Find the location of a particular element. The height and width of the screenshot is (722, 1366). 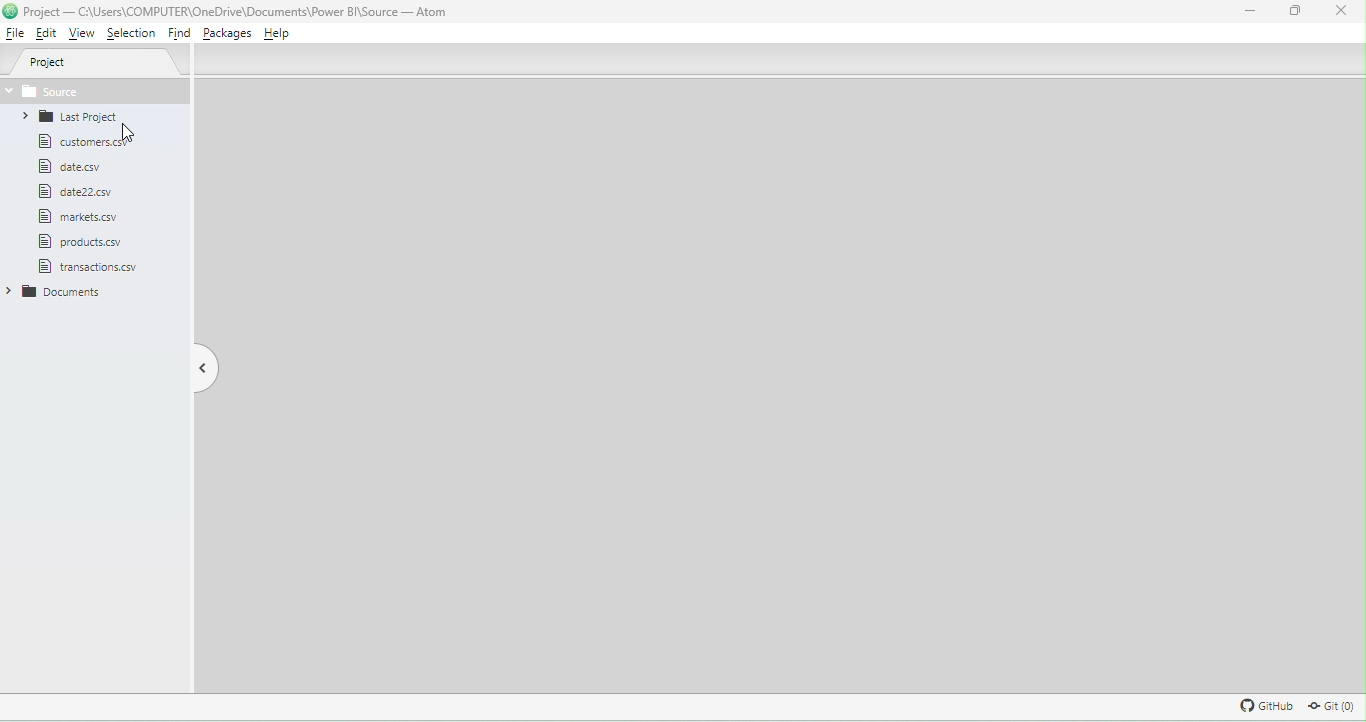

File is located at coordinates (74, 167).